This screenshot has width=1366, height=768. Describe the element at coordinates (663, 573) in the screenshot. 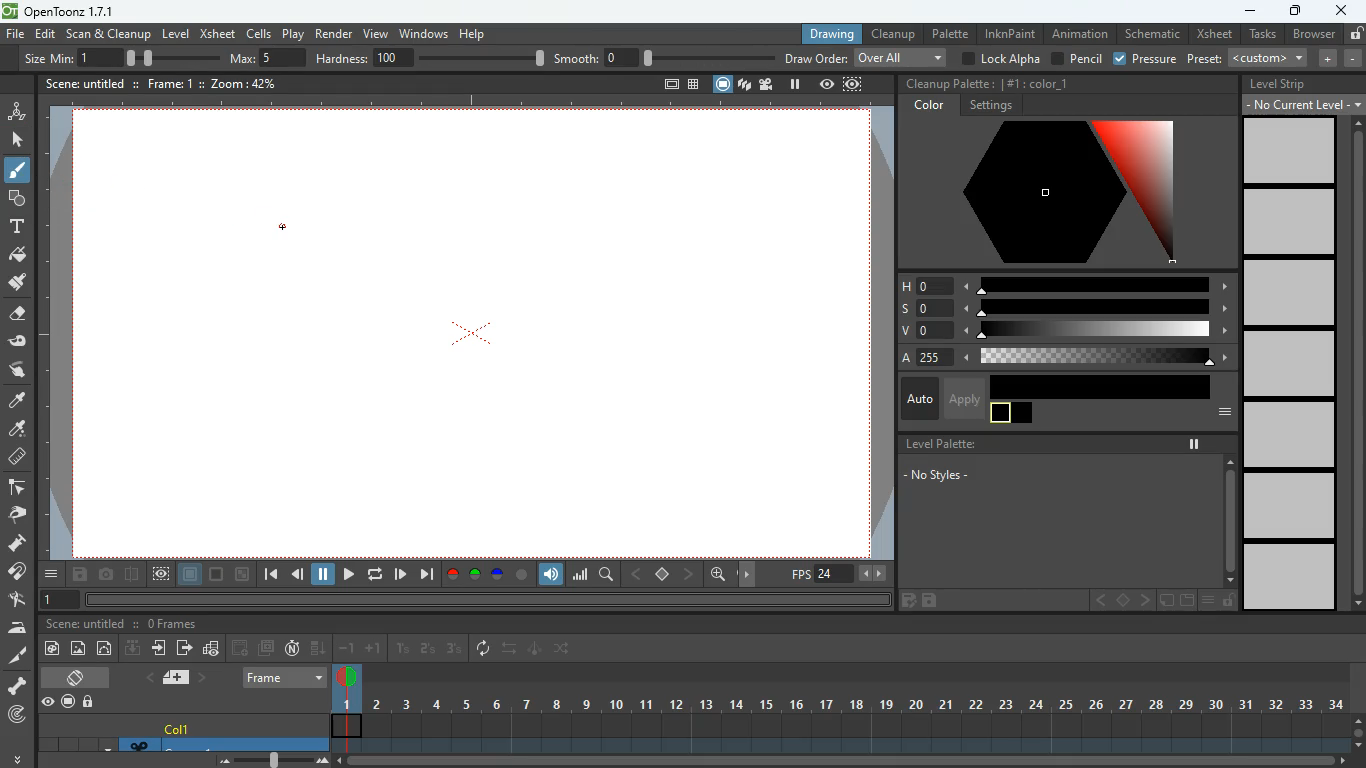

I see `center` at that location.